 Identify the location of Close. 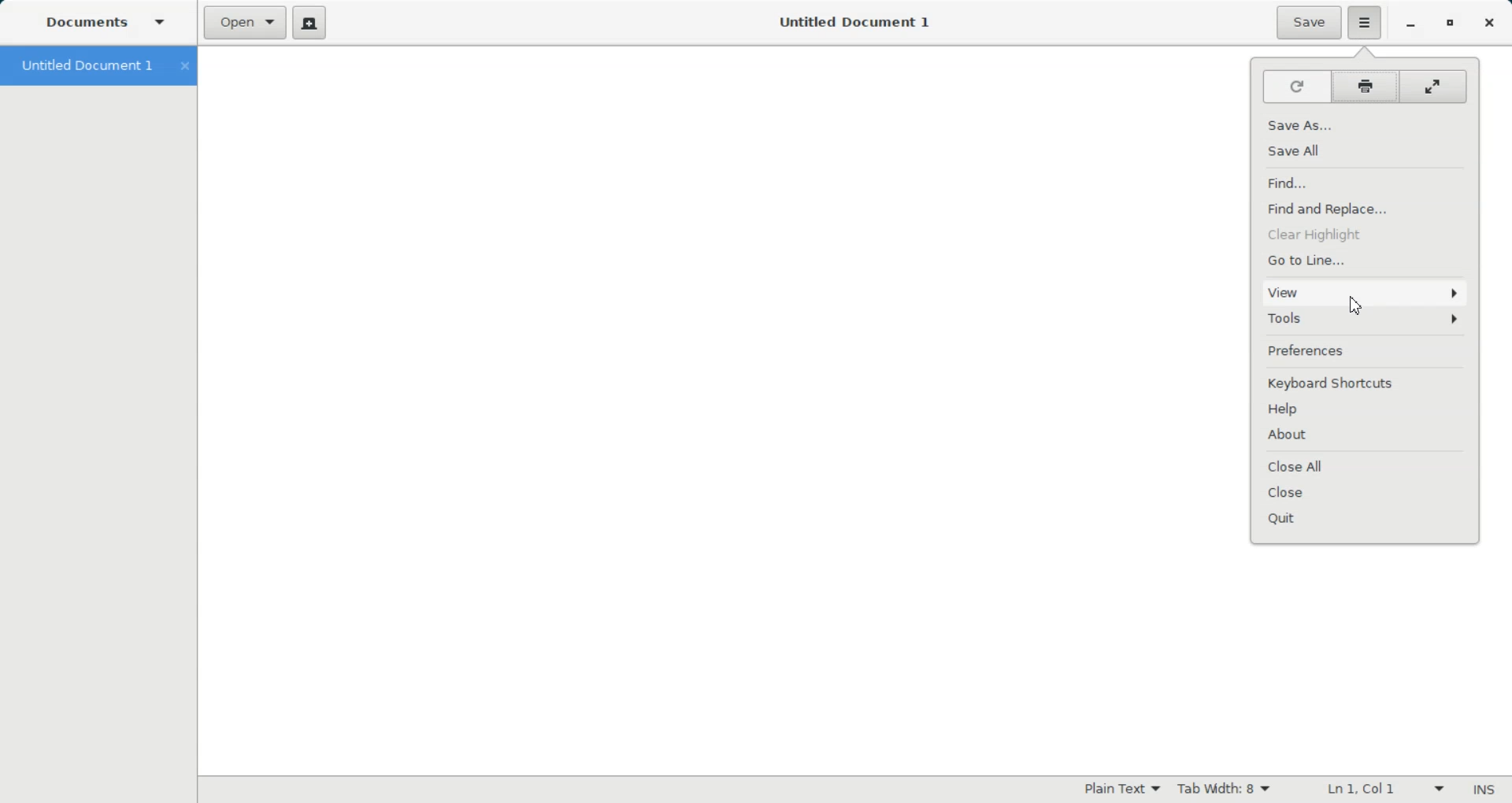
(1488, 24).